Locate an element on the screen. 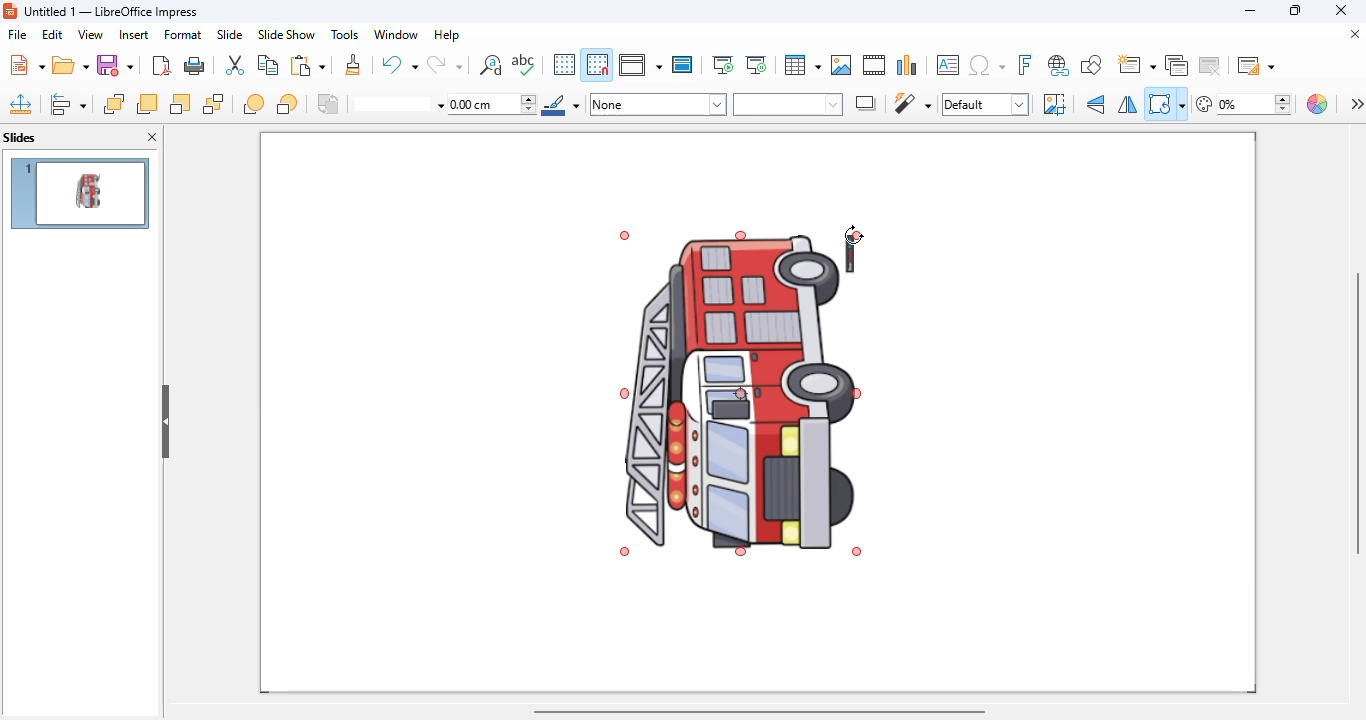 The image size is (1366, 720). window is located at coordinates (397, 34).